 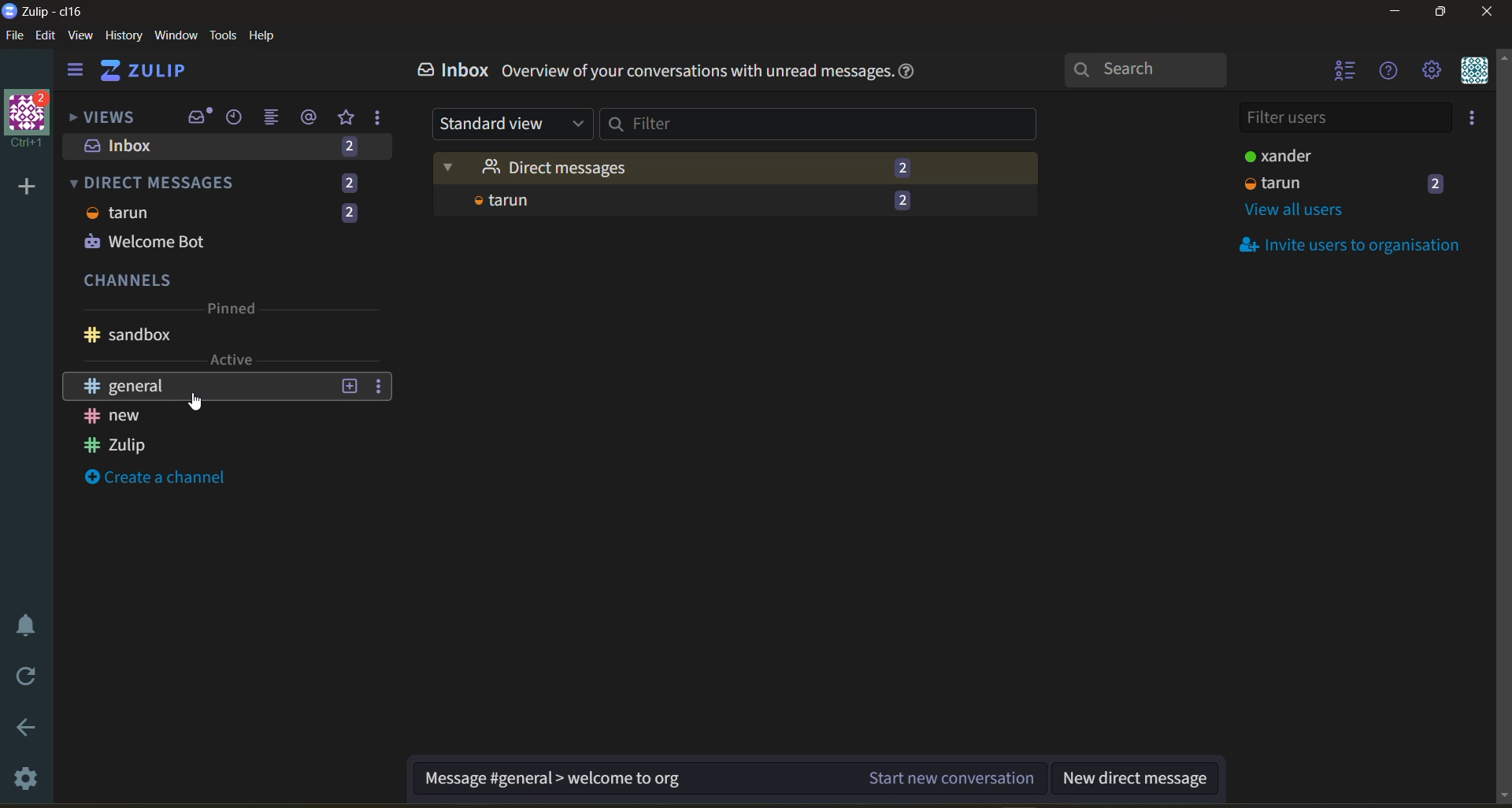 What do you see at coordinates (821, 122) in the screenshot?
I see `filter` at bounding box center [821, 122].